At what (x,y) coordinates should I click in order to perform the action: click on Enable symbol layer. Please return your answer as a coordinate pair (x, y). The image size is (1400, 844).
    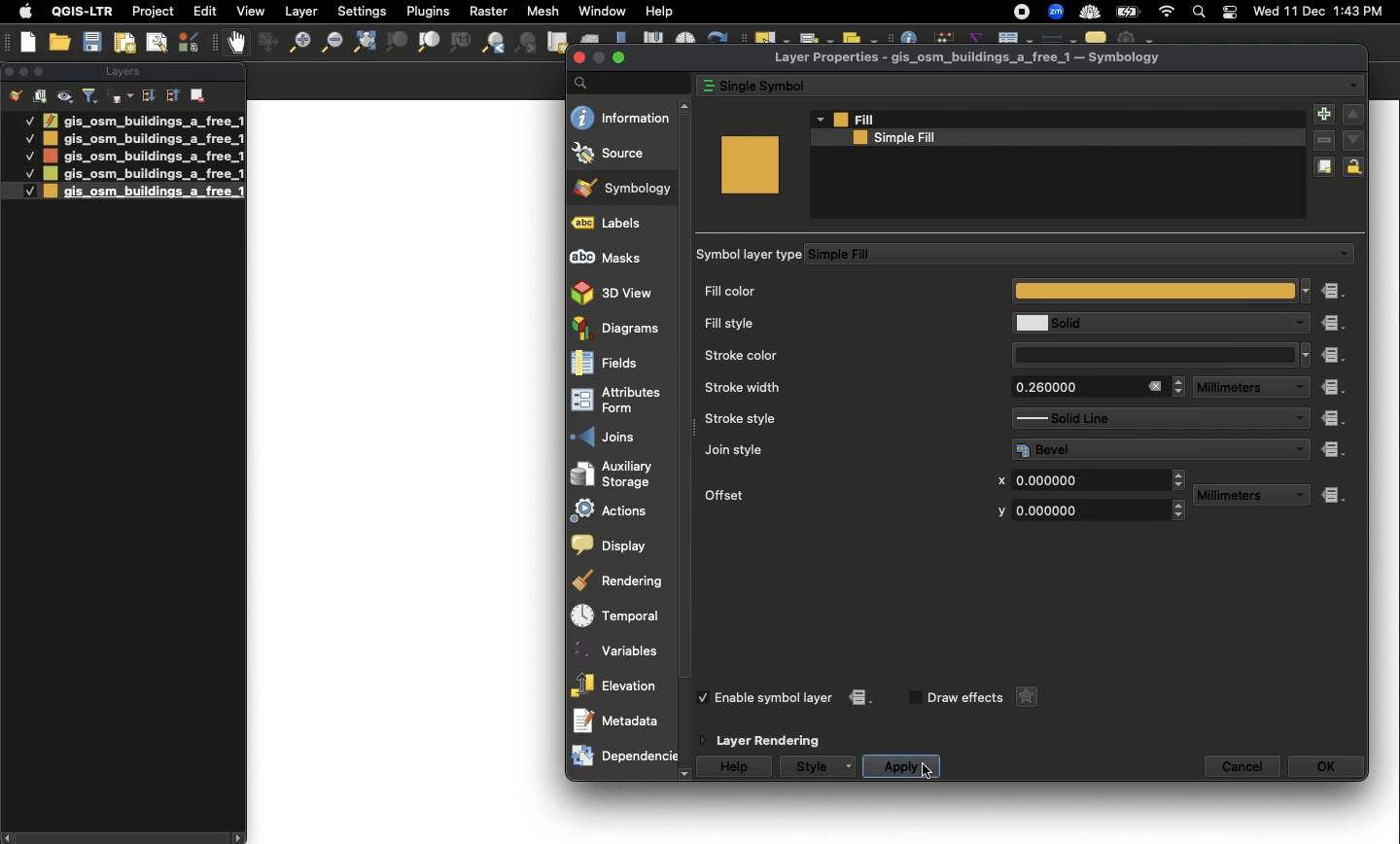
    Looking at the image, I should click on (776, 697).